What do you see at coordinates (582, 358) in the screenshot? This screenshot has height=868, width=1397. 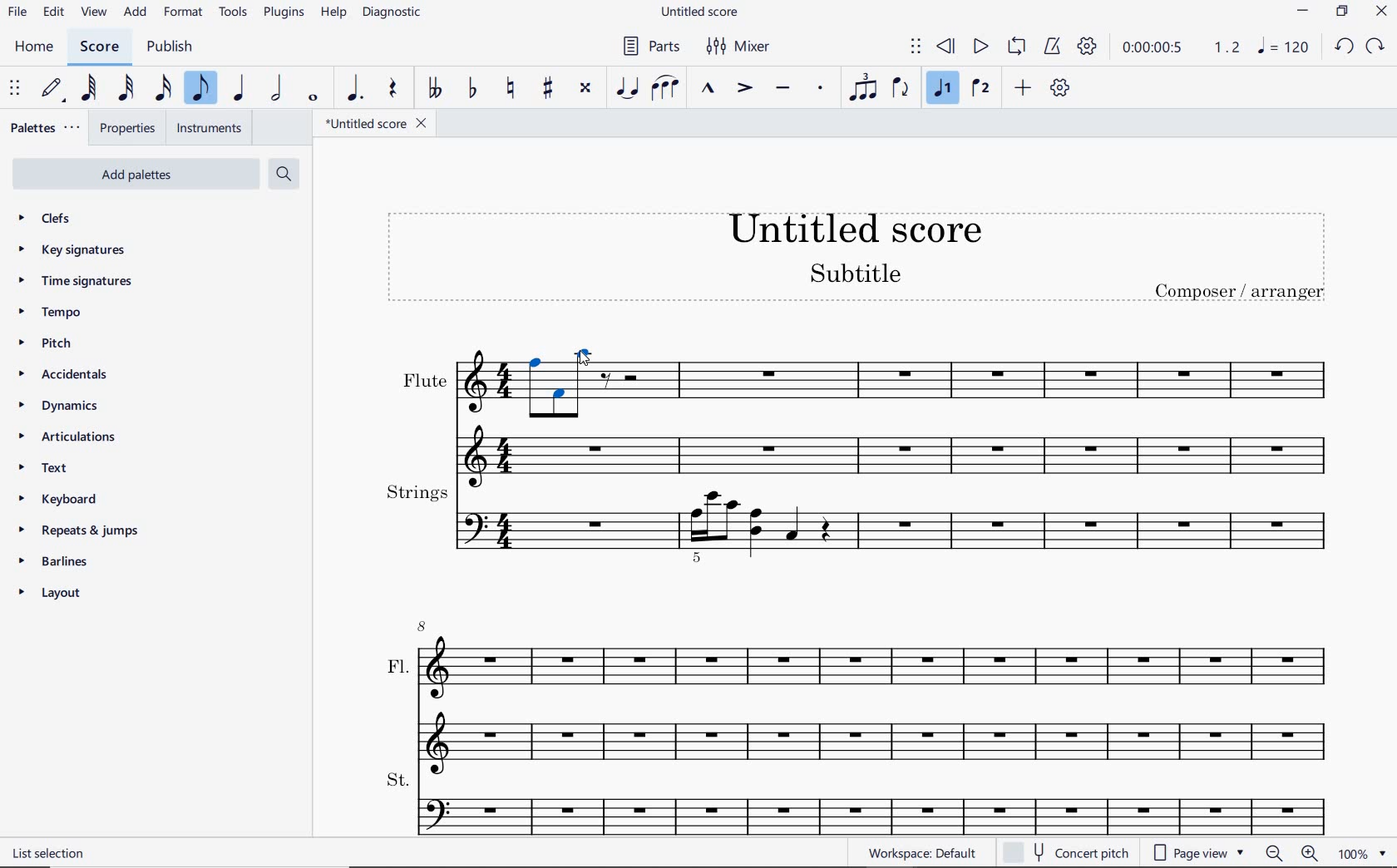 I see `cursor selects note` at bounding box center [582, 358].